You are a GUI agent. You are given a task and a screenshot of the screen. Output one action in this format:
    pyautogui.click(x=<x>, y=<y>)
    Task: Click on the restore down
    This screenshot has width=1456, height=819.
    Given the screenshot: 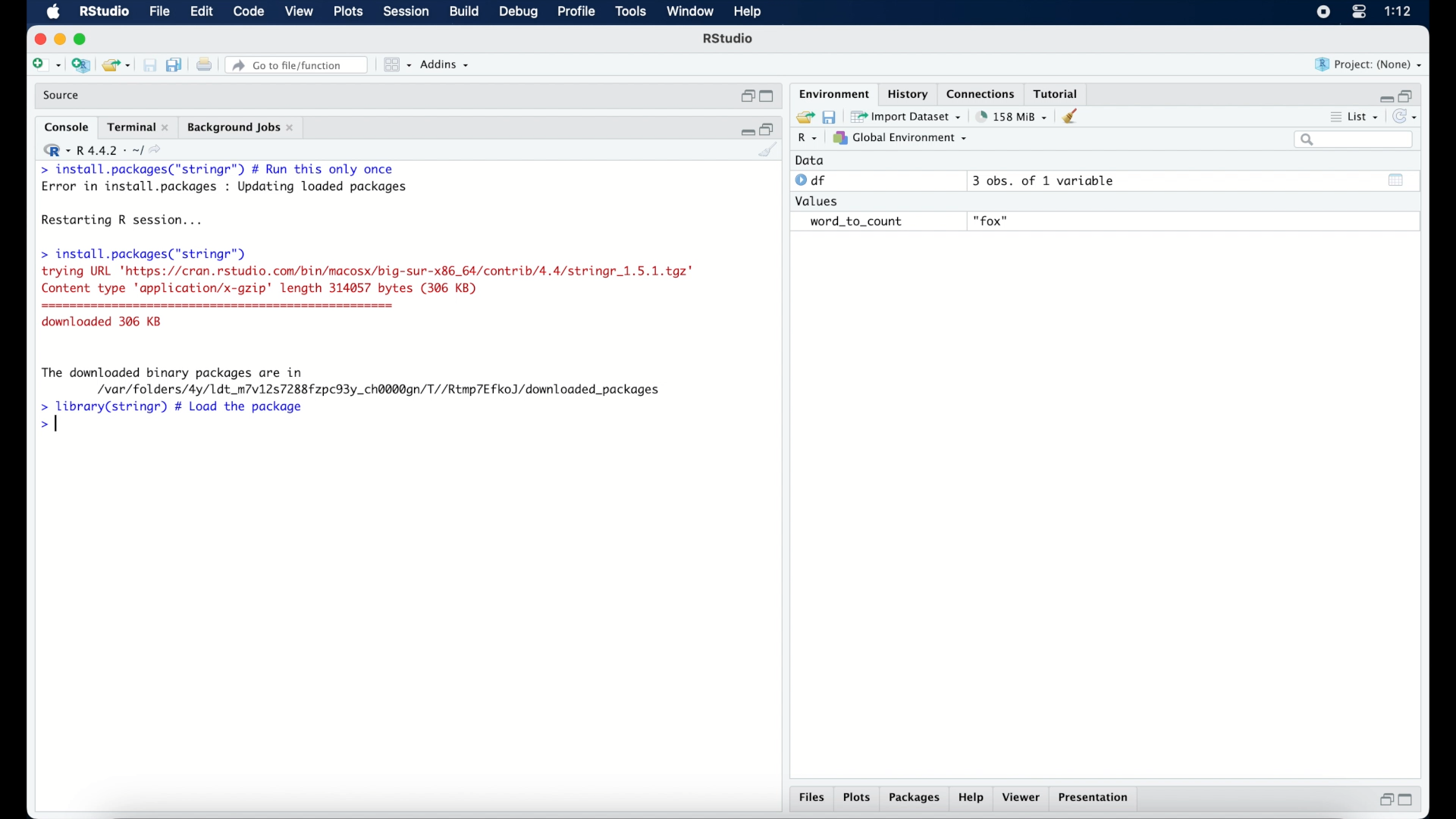 What is the action you would take?
    pyautogui.click(x=746, y=96)
    